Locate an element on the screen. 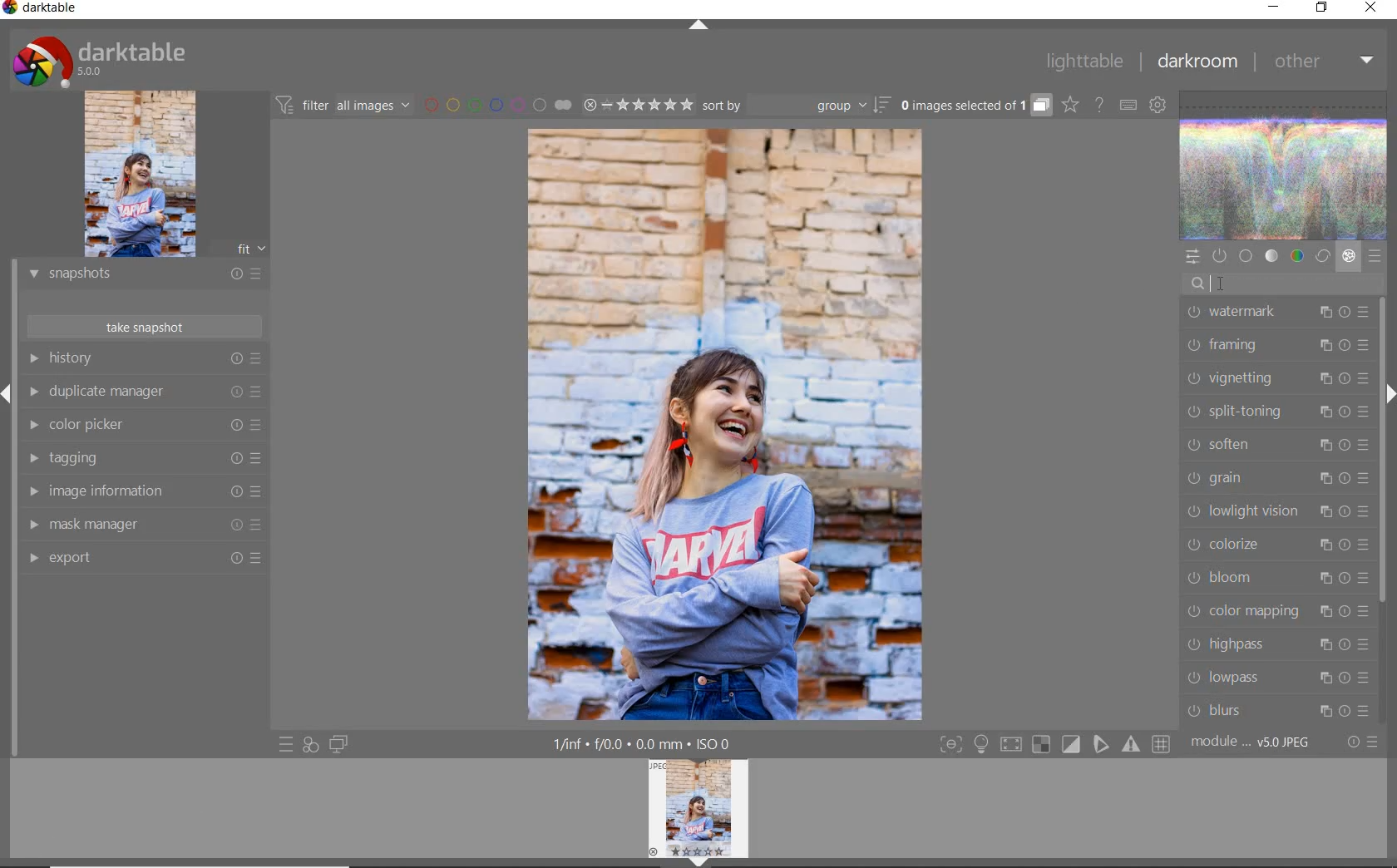  display a second darkroom image window is located at coordinates (339, 743).